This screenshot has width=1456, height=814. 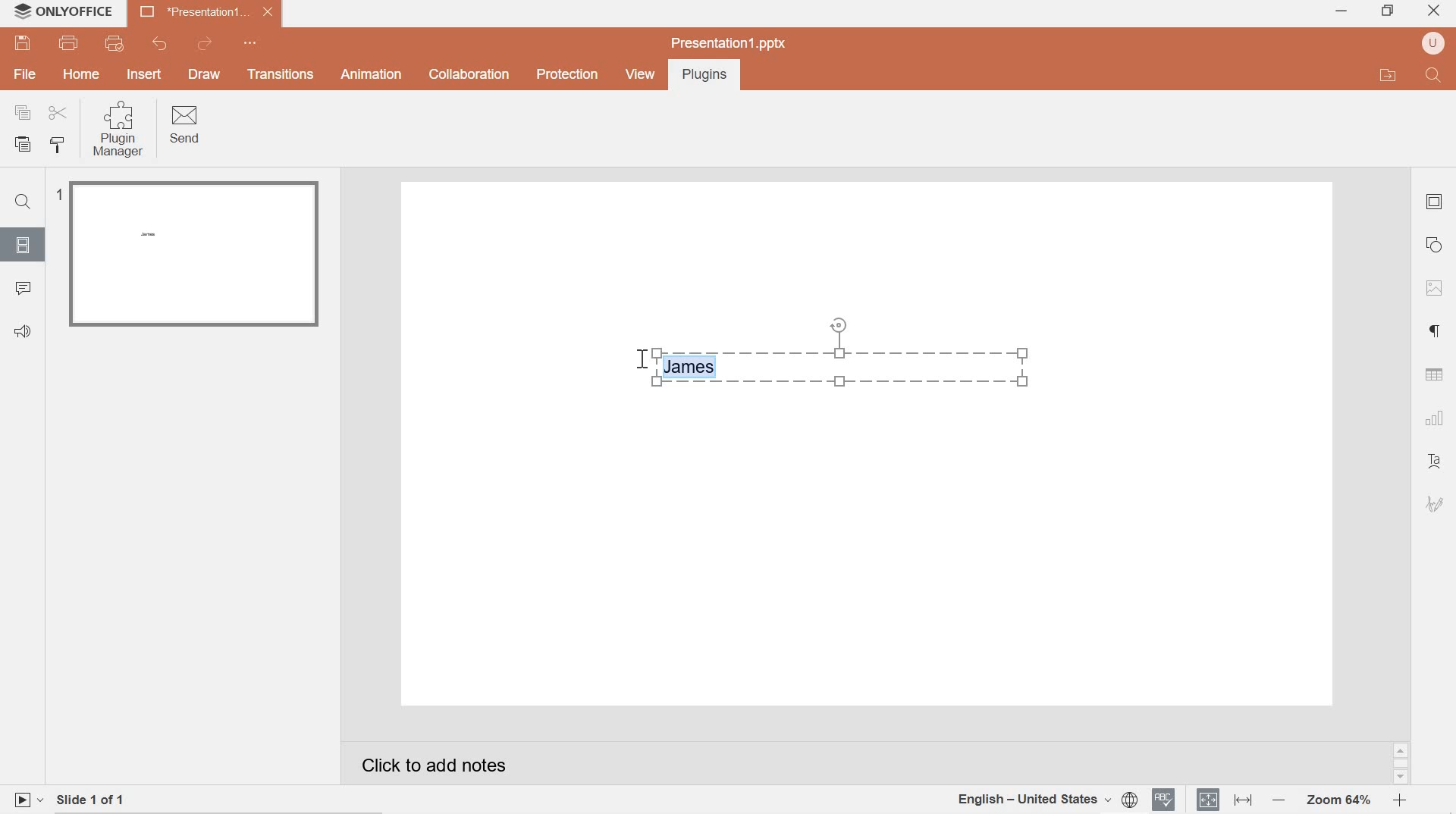 What do you see at coordinates (146, 74) in the screenshot?
I see `INSERT` at bounding box center [146, 74].